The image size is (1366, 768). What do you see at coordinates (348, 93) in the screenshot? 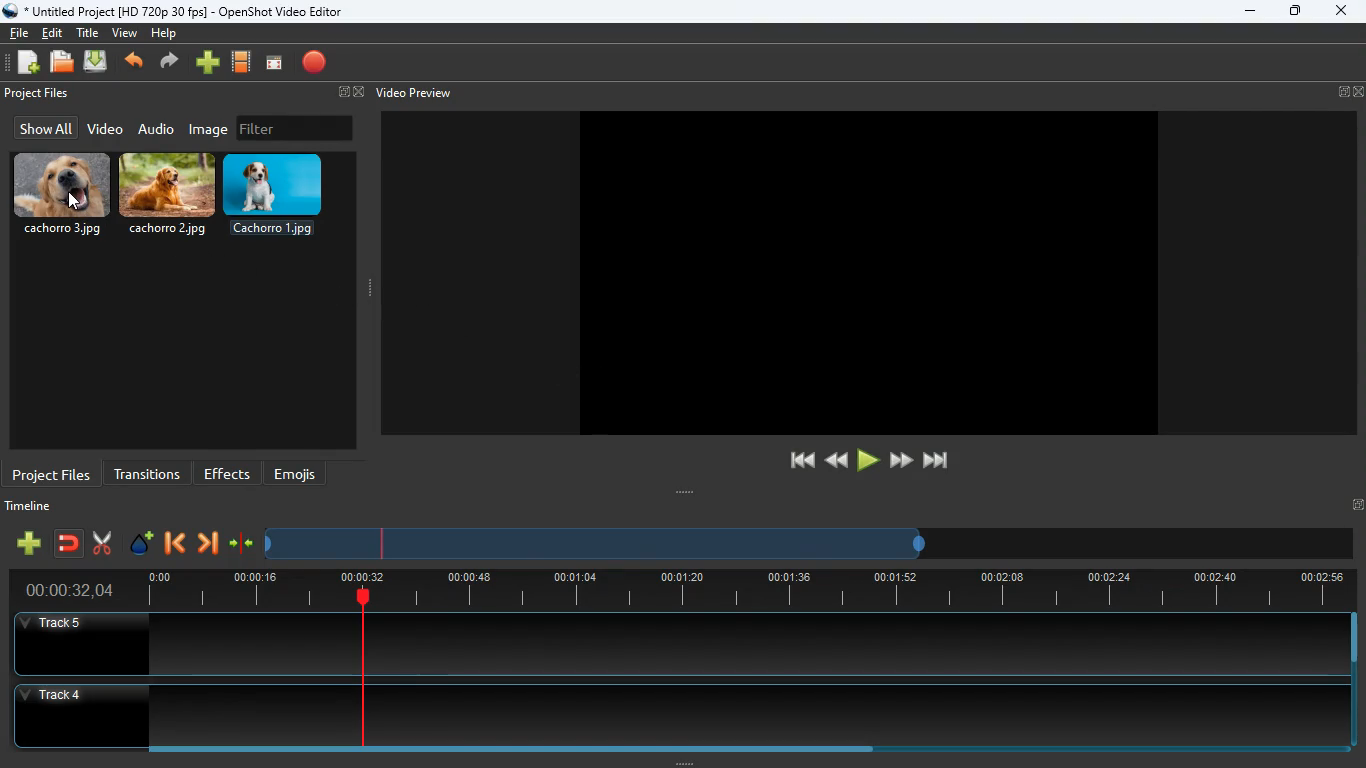
I see `fullscreen` at bounding box center [348, 93].